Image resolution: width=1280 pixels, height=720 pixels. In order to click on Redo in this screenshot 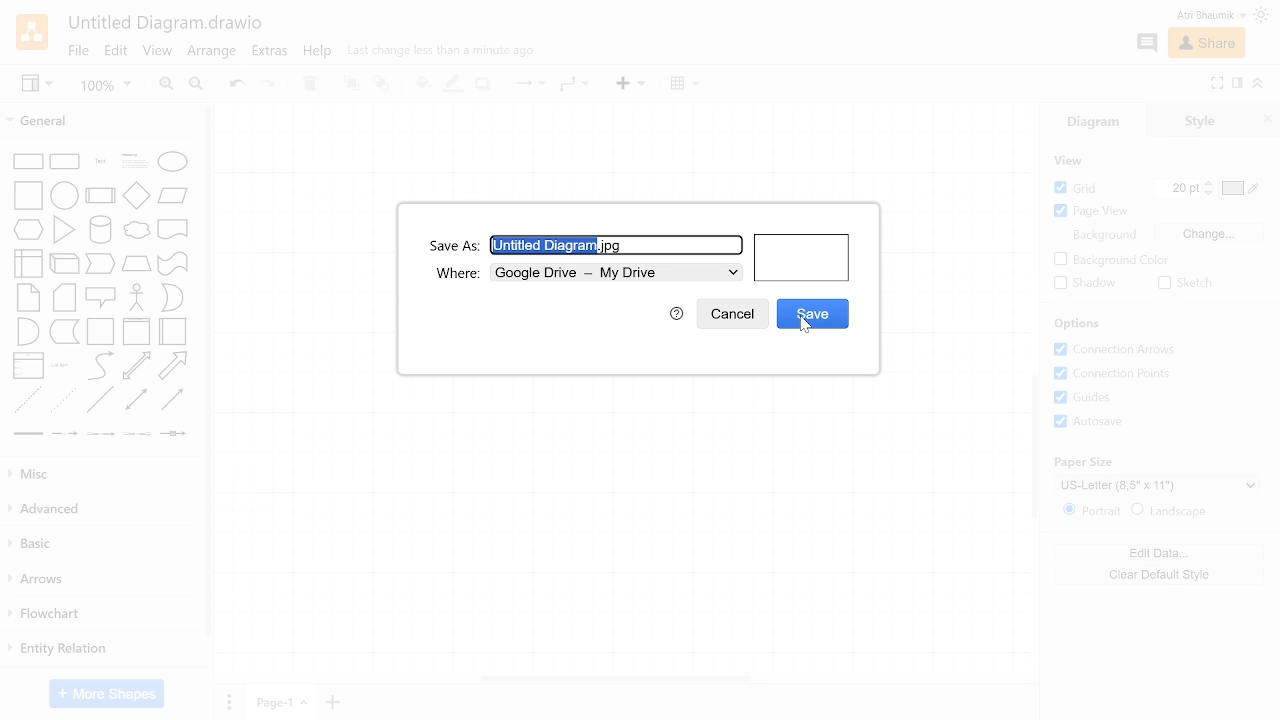, I will do `click(268, 85)`.